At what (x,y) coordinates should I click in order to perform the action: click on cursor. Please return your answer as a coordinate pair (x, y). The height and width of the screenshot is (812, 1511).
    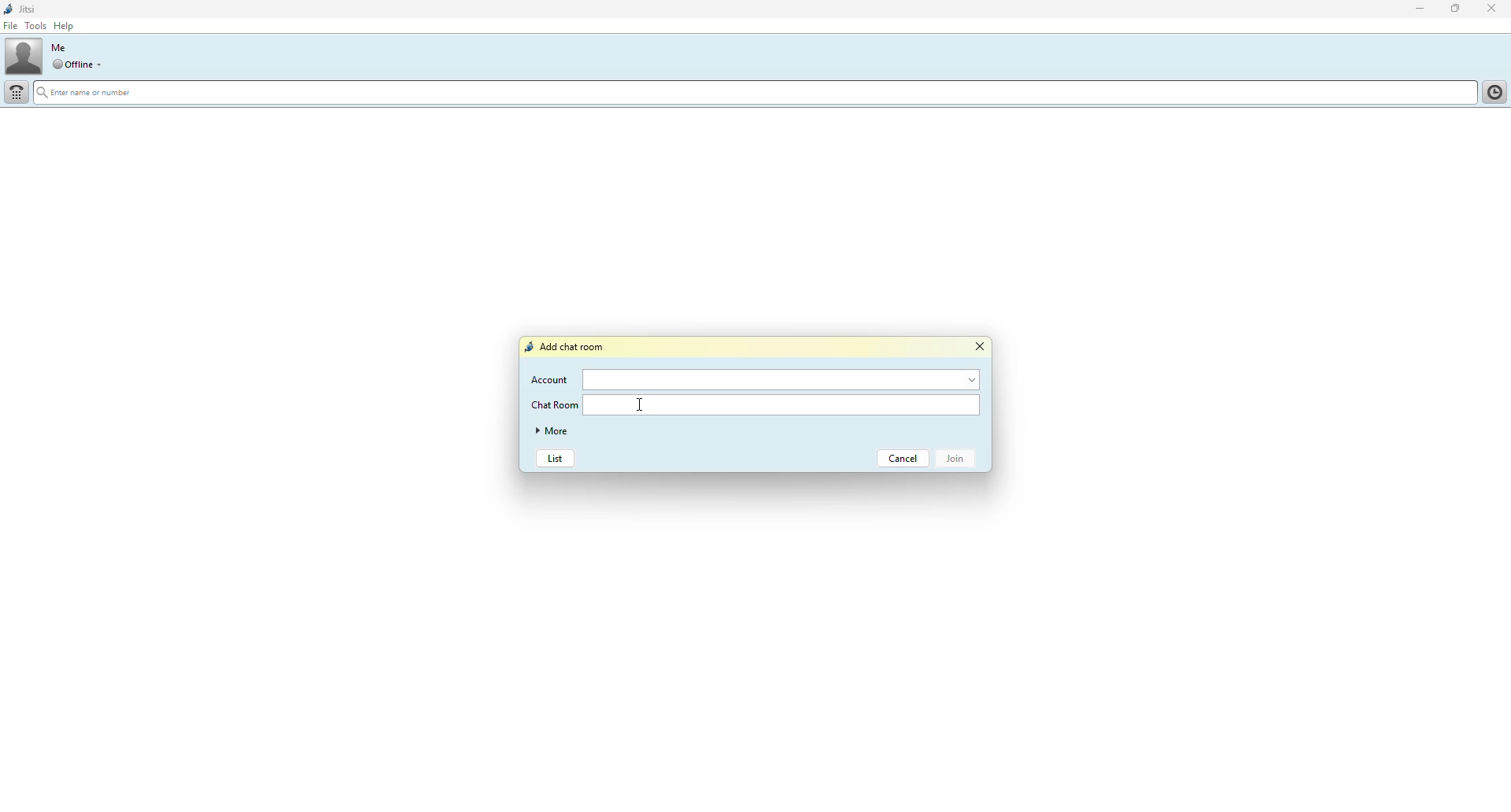
    Looking at the image, I should click on (641, 404).